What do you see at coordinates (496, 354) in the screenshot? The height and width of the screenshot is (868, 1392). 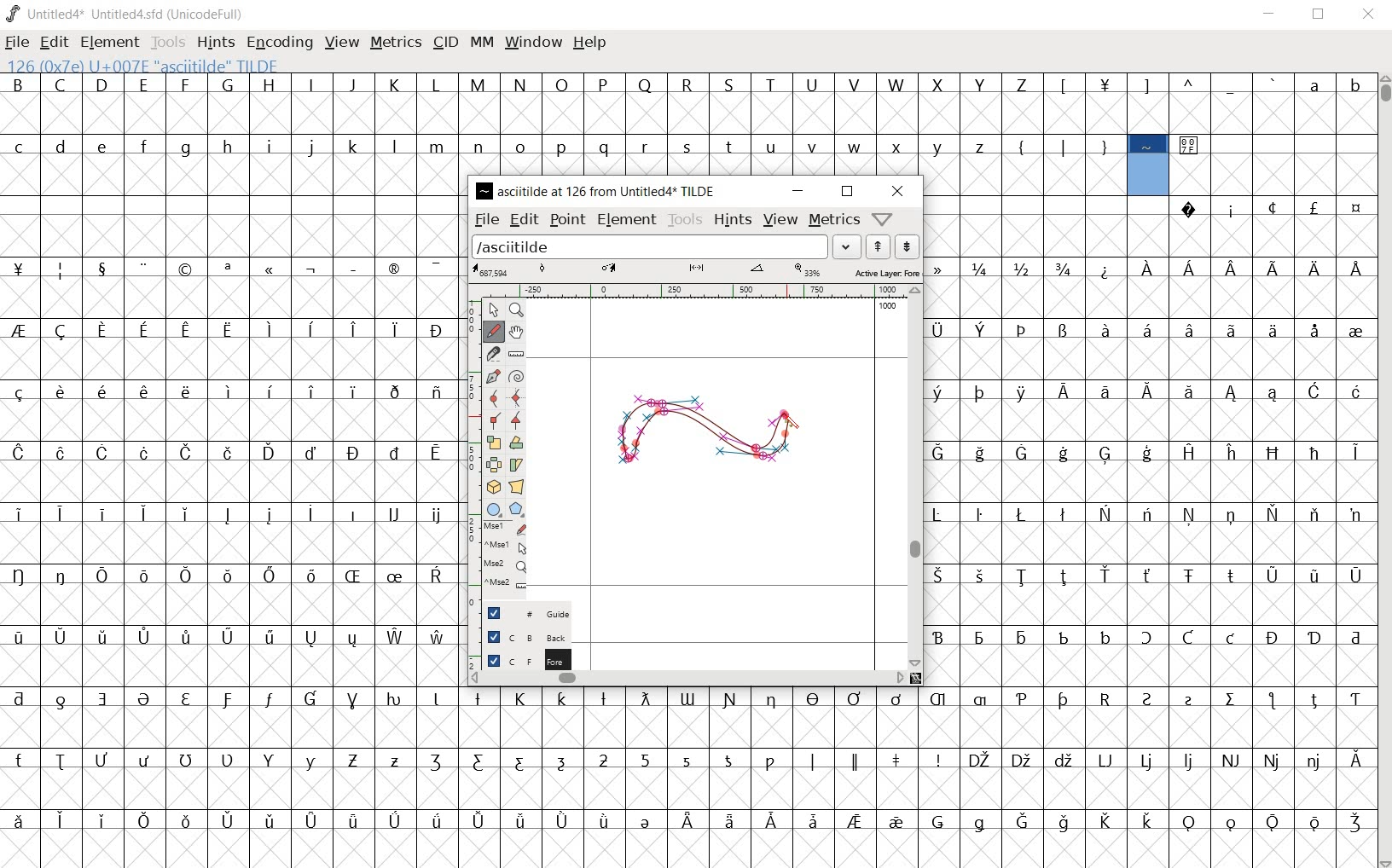 I see `cut splines in two` at bounding box center [496, 354].